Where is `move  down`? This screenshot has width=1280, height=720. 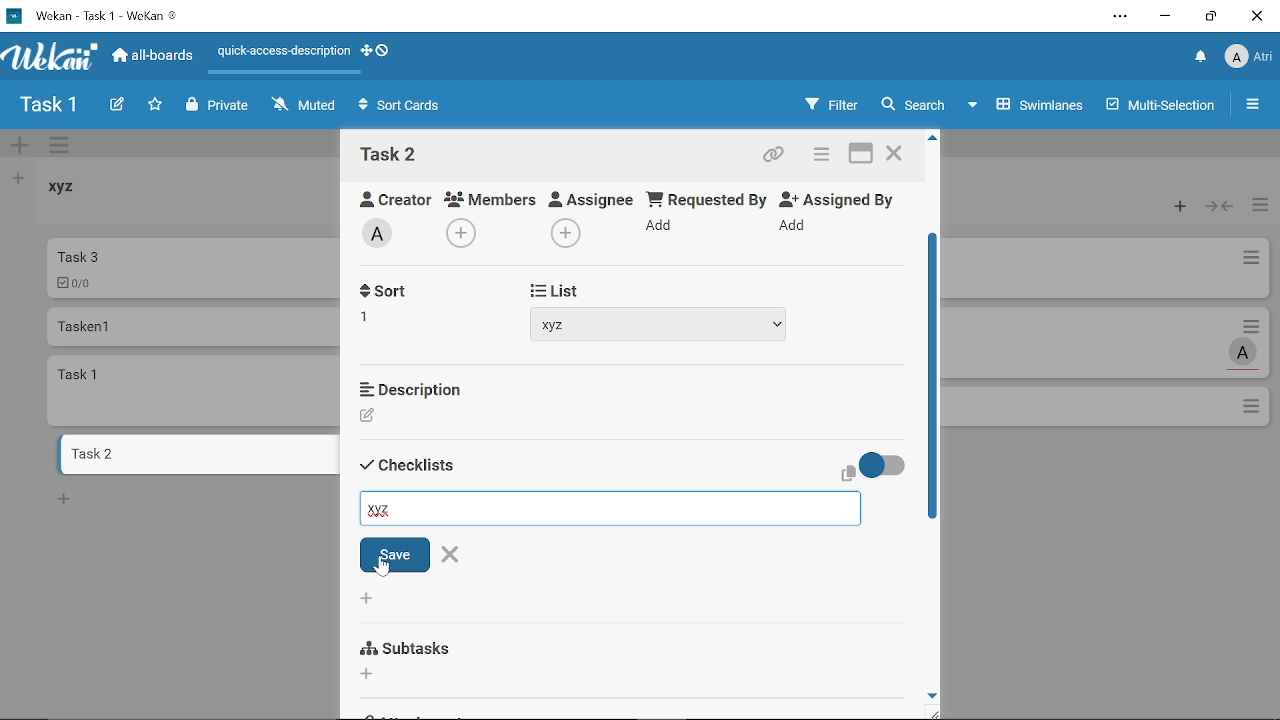 move  down is located at coordinates (935, 696).